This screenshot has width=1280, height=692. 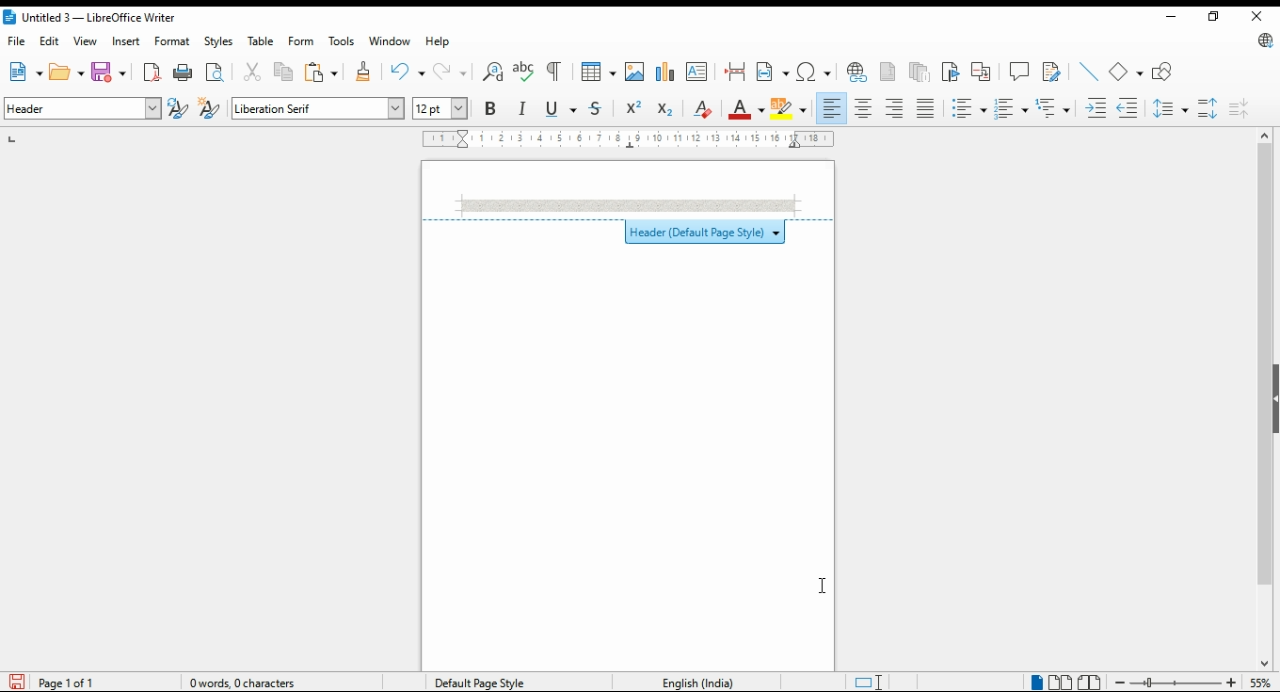 What do you see at coordinates (925, 109) in the screenshot?
I see `justified` at bounding box center [925, 109].